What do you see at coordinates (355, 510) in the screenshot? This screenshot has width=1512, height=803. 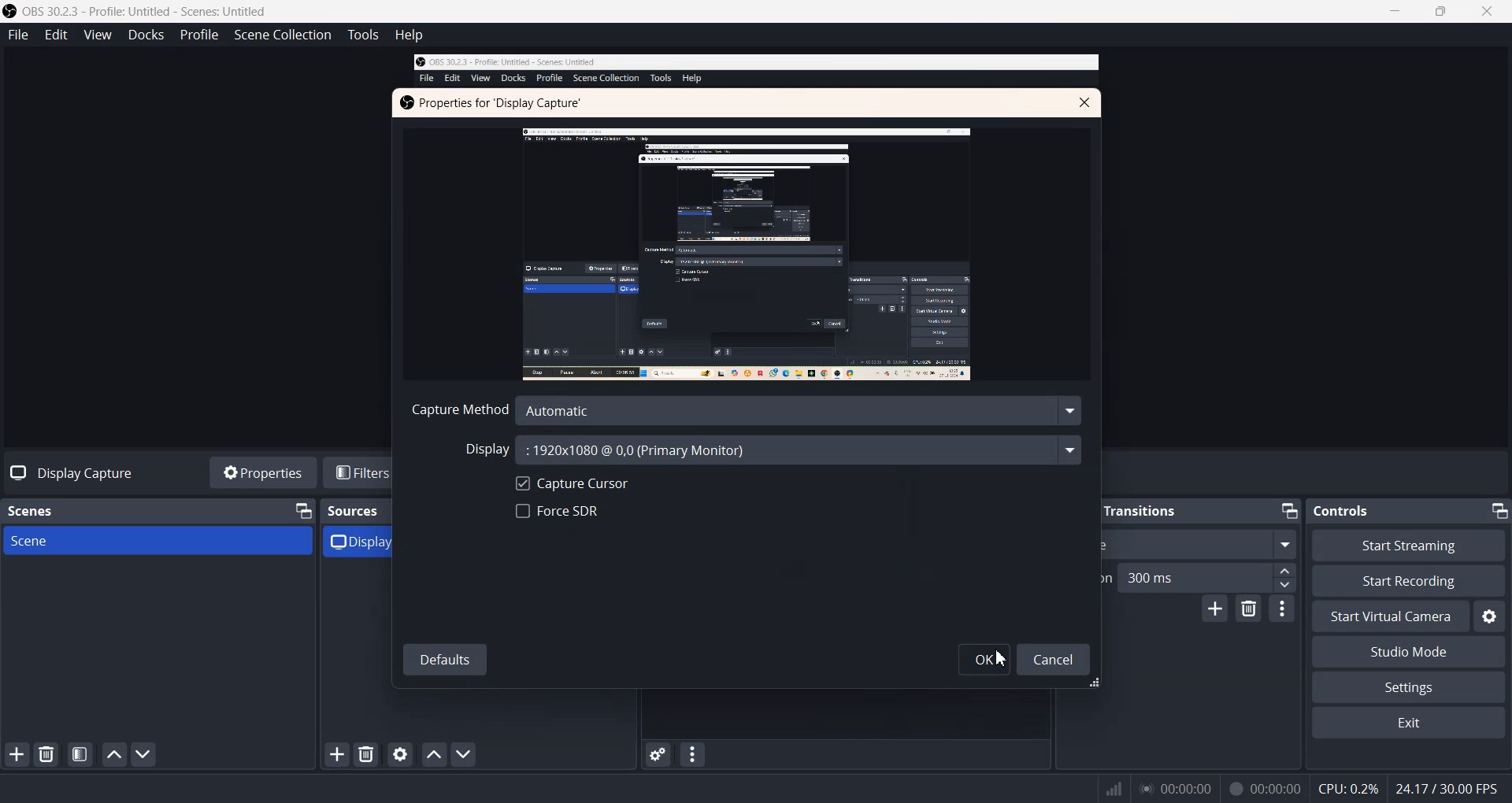 I see `Sources` at bounding box center [355, 510].